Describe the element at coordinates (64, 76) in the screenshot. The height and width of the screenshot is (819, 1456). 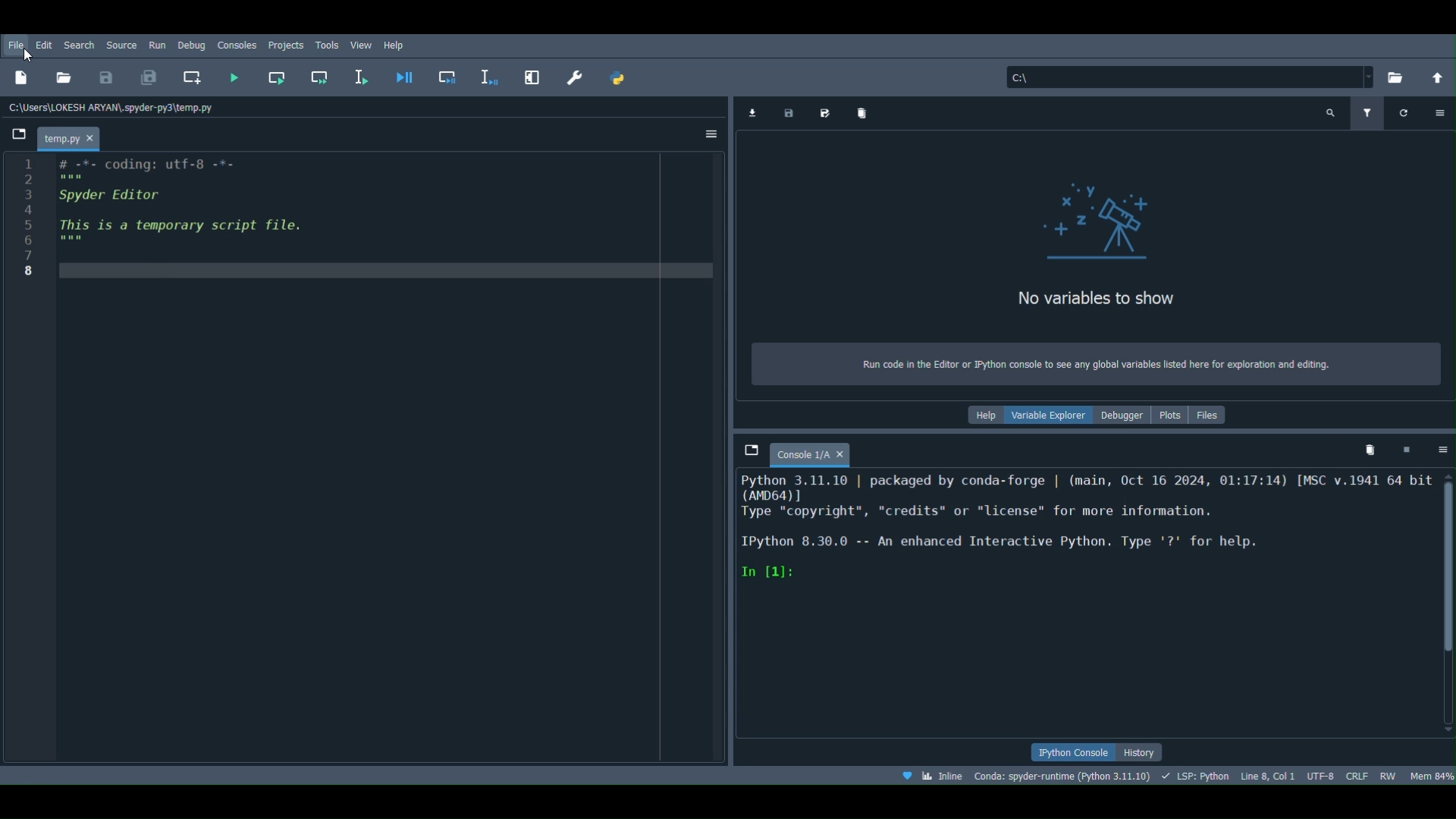
I see `Open file (Ctrl + O)` at that location.